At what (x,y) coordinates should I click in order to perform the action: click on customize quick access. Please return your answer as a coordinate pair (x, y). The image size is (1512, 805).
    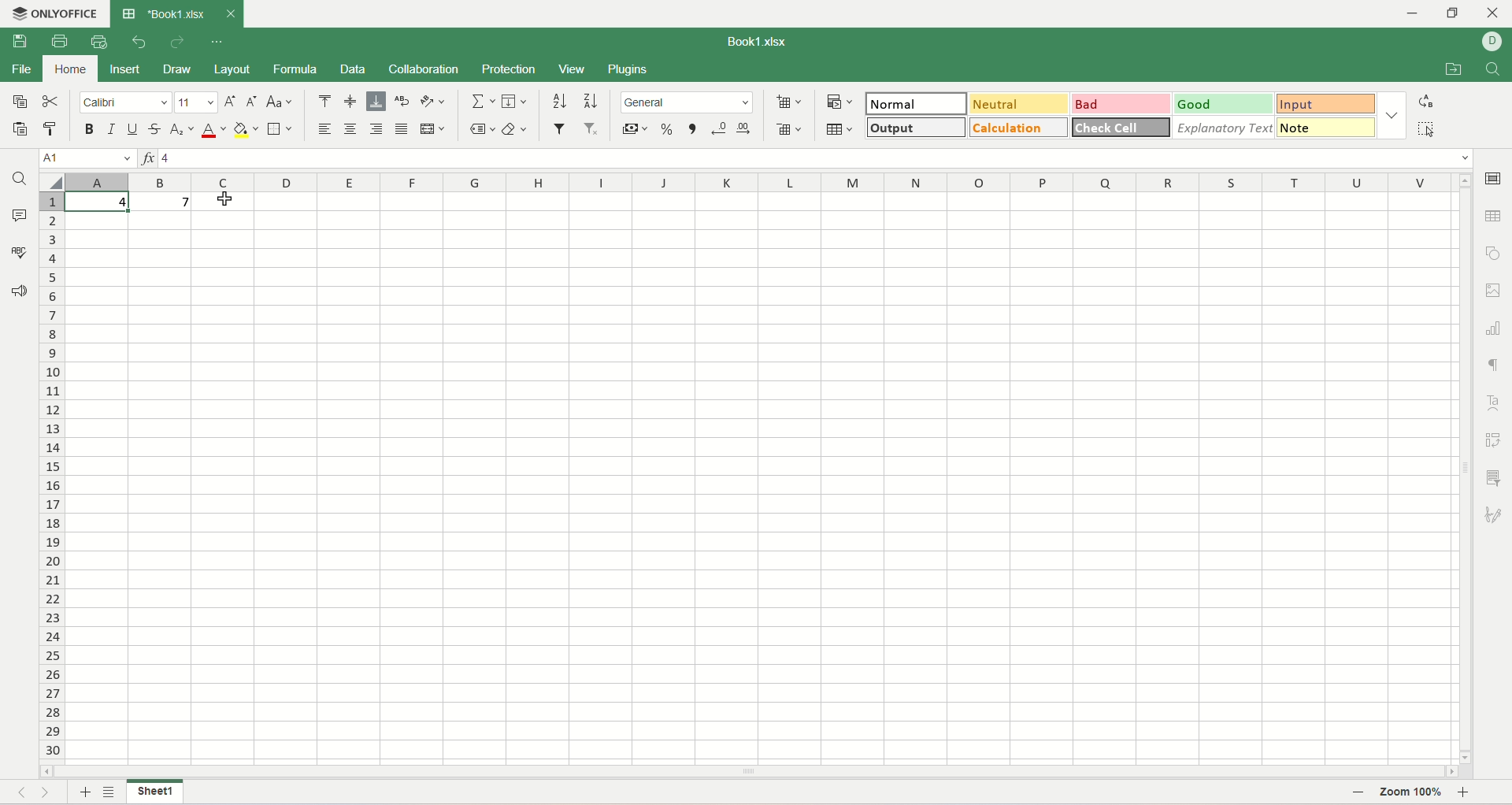
    Looking at the image, I should click on (215, 42).